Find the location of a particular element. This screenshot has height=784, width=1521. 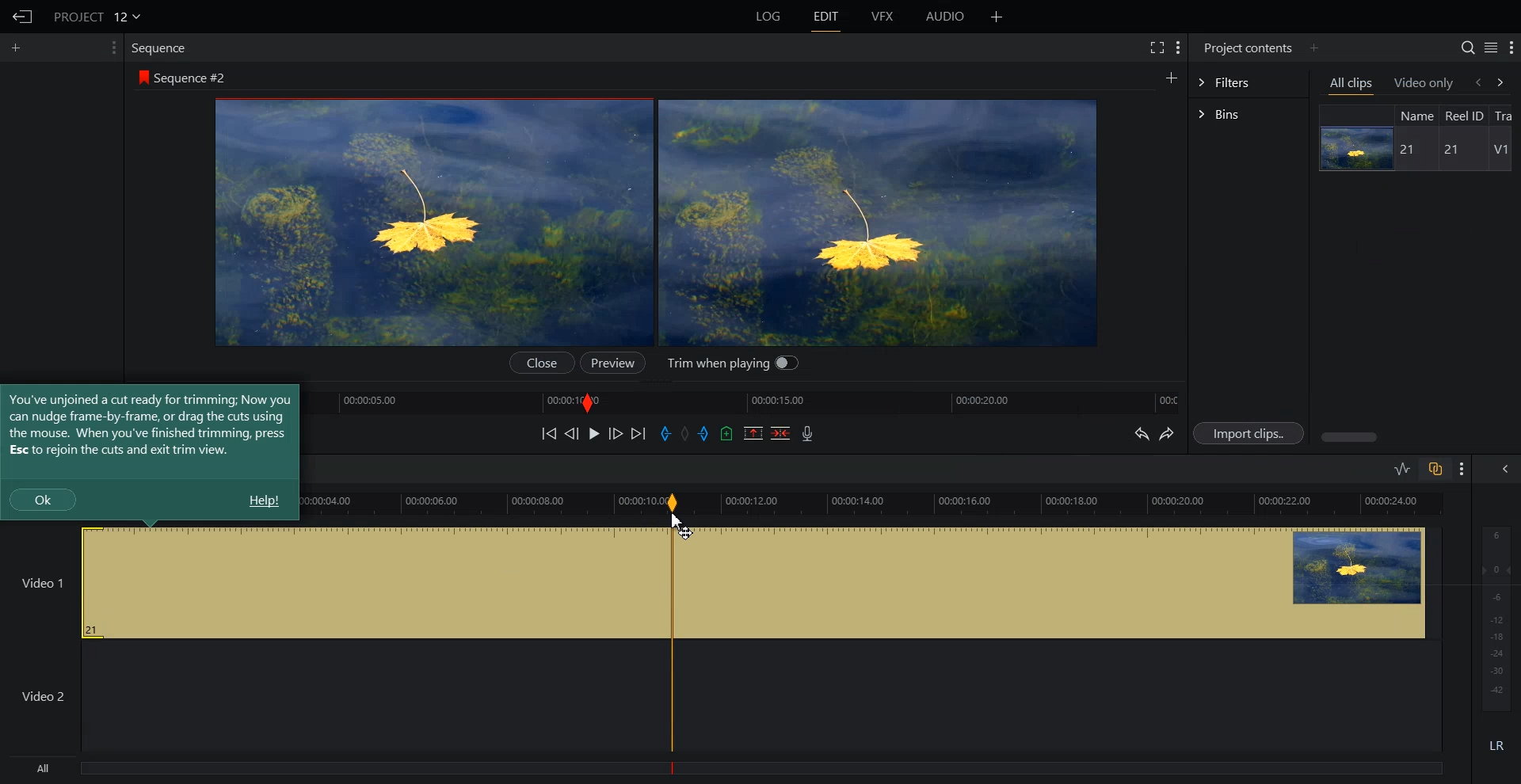

Trim when playing is located at coordinates (732, 365).